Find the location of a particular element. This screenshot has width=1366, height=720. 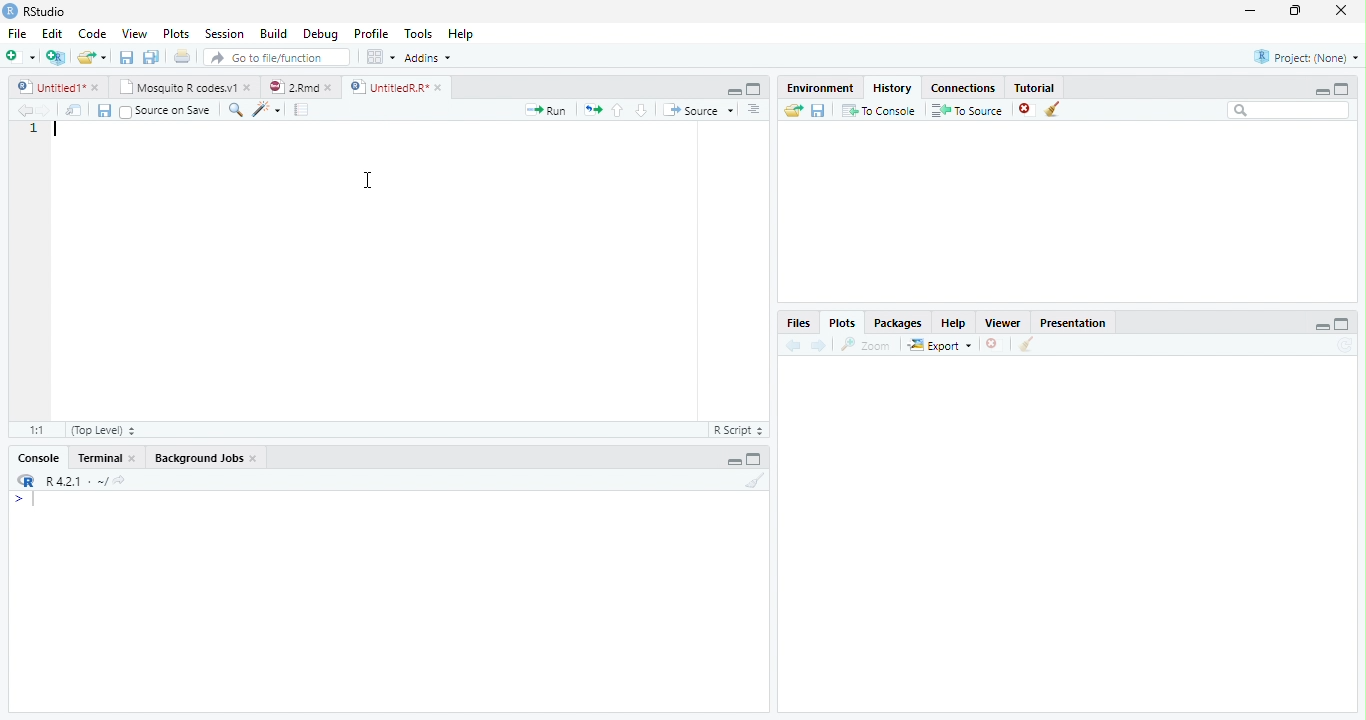

cursor is located at coordinates (370, 181).